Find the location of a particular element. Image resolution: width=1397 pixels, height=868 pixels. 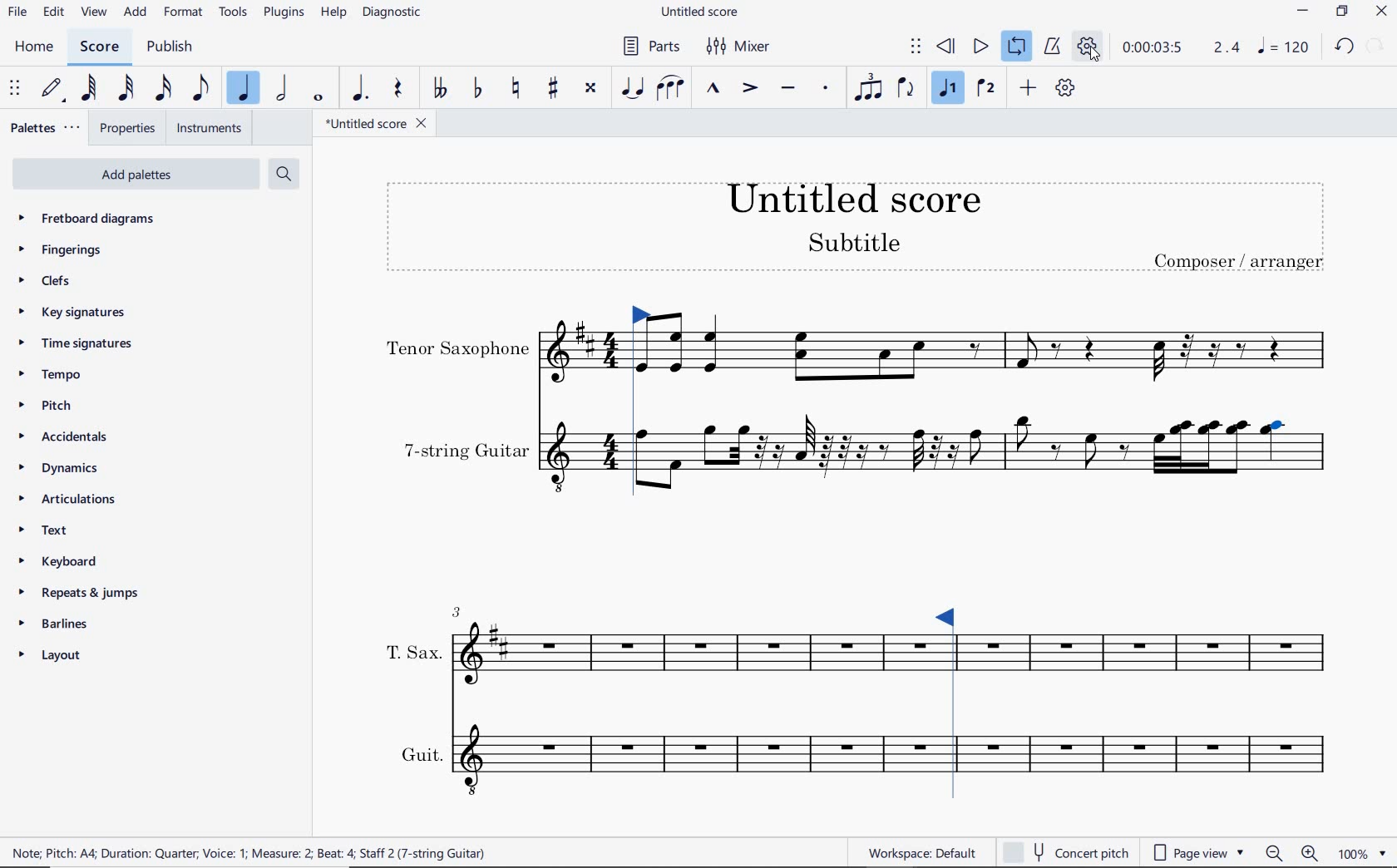

TOGGLE DOUBLE-SHARP is located at coordinates (590, 89).